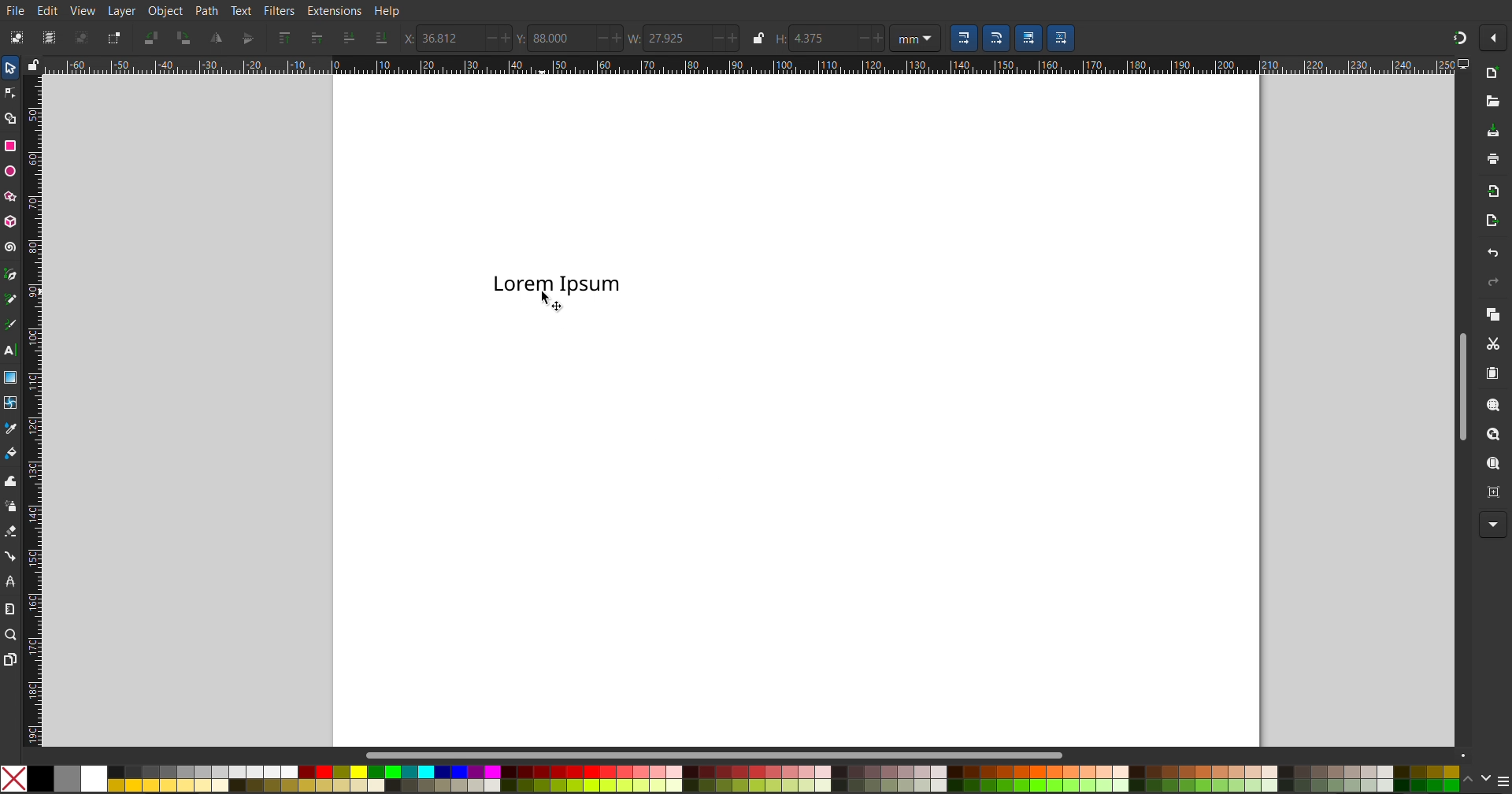  What do you see at coordinates (11, 147) in the screenshot?
I see `Rectangle Tool` at bounding box center [11, 147].